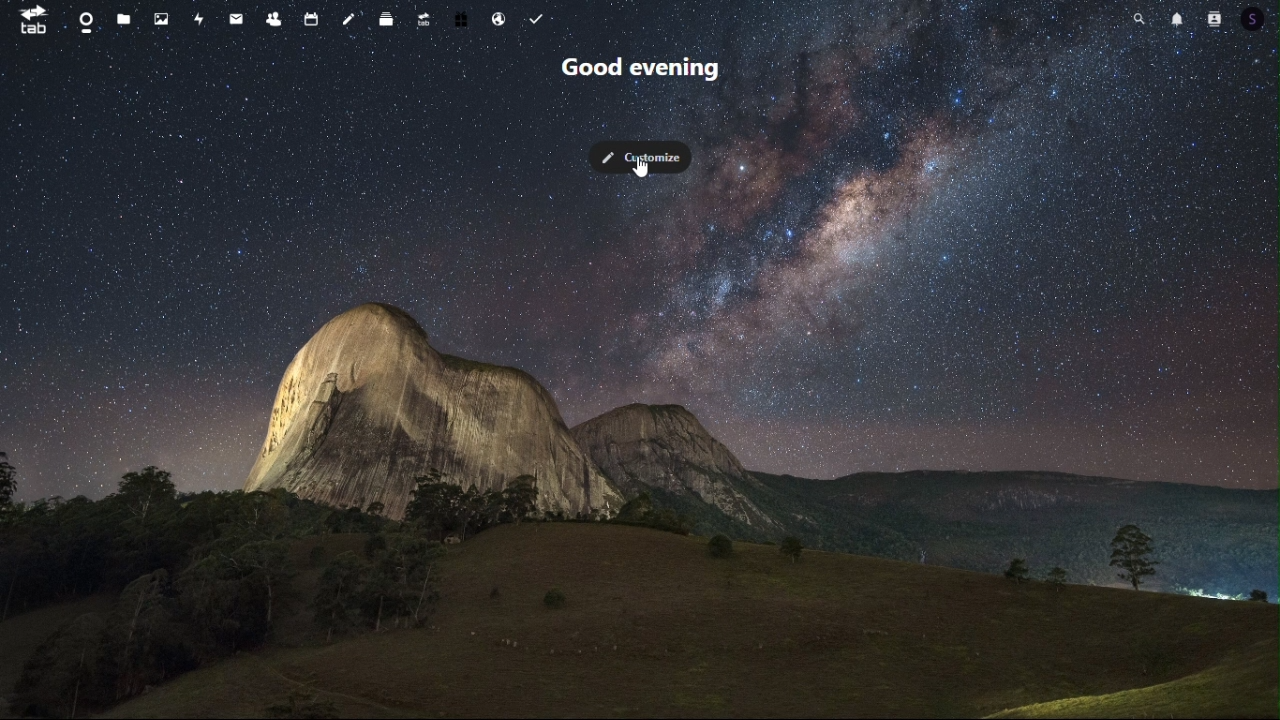 The height and width of the screenshot is (720, 1280). I want to click on calendar, so click(313, 17).